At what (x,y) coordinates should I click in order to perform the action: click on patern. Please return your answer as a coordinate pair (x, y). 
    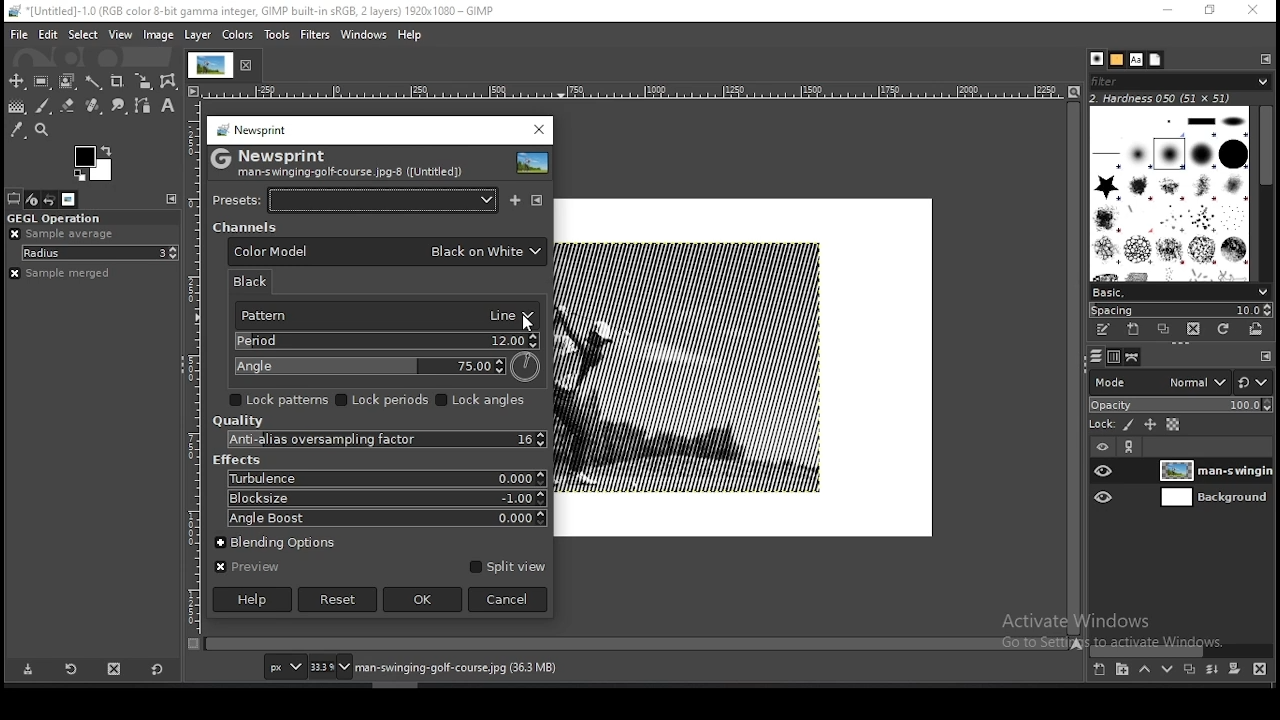
    Looking at the image, I should click on (382, 317).